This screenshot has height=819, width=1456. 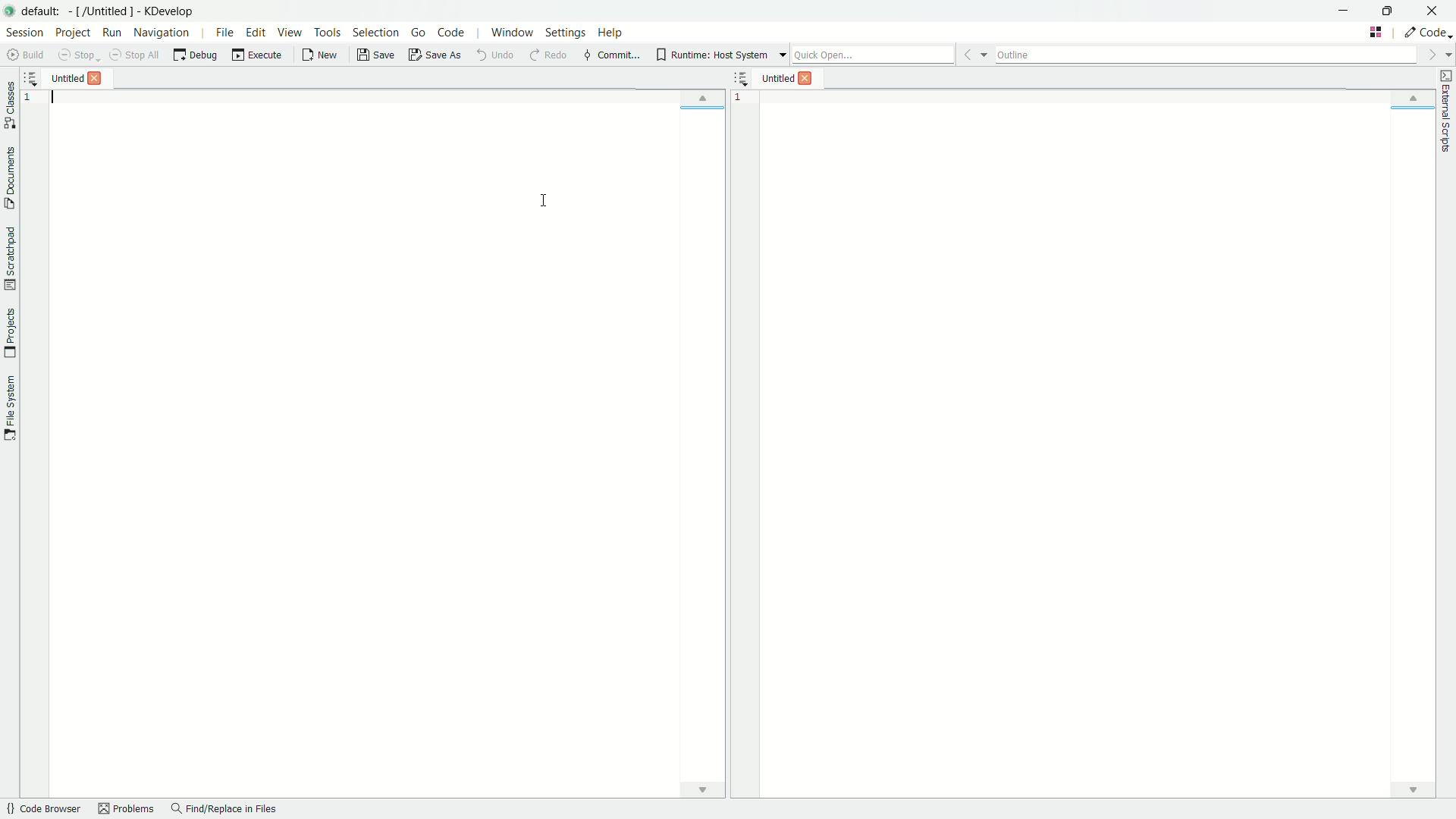 What do you see at coordinates (259, 33) in the screenshot?
I see `edit menu` at bounding box center [259, 33].